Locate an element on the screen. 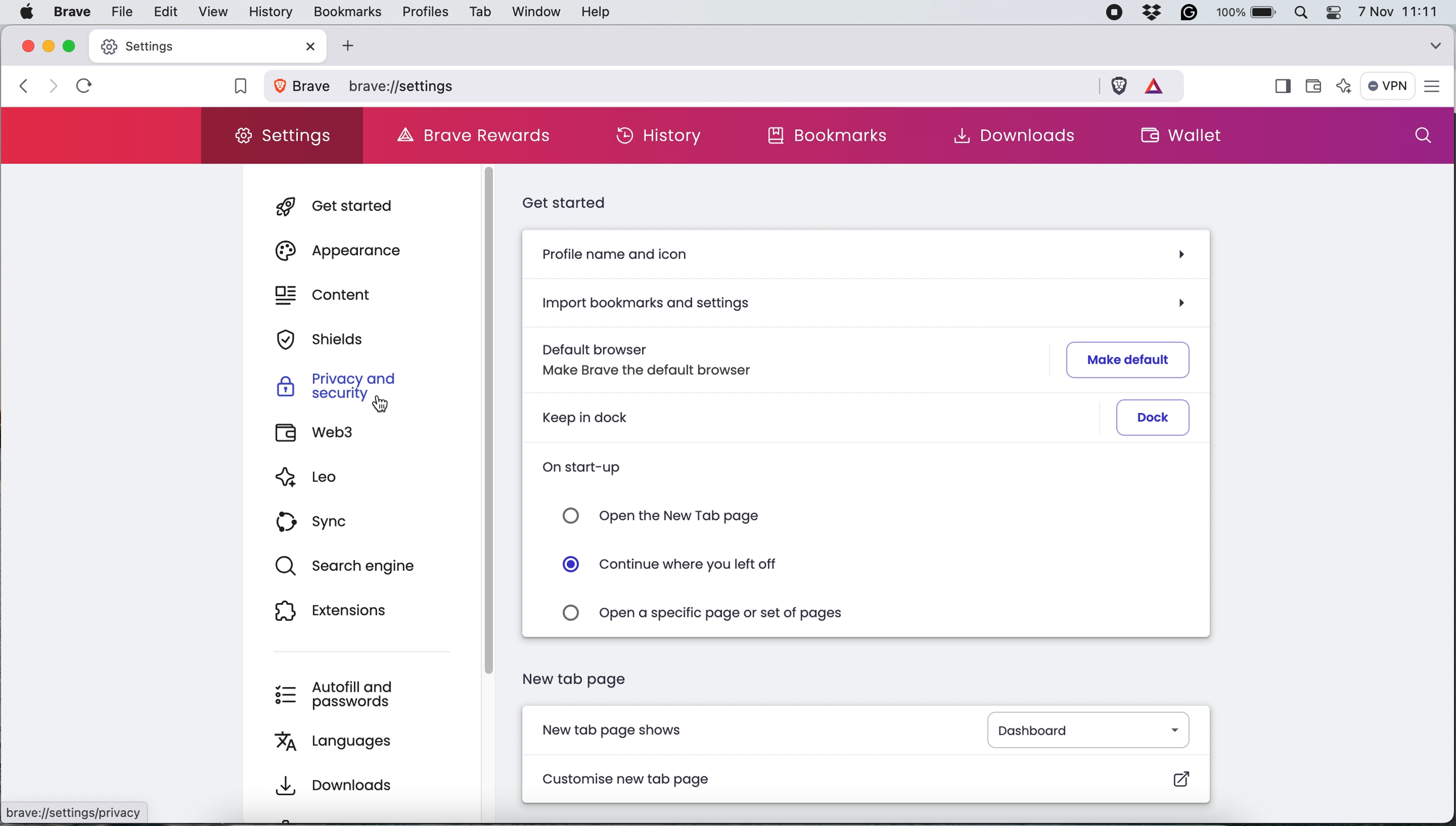 The width and height of the screenshot is (1456, 826). close is located at coordinates (26, 46).